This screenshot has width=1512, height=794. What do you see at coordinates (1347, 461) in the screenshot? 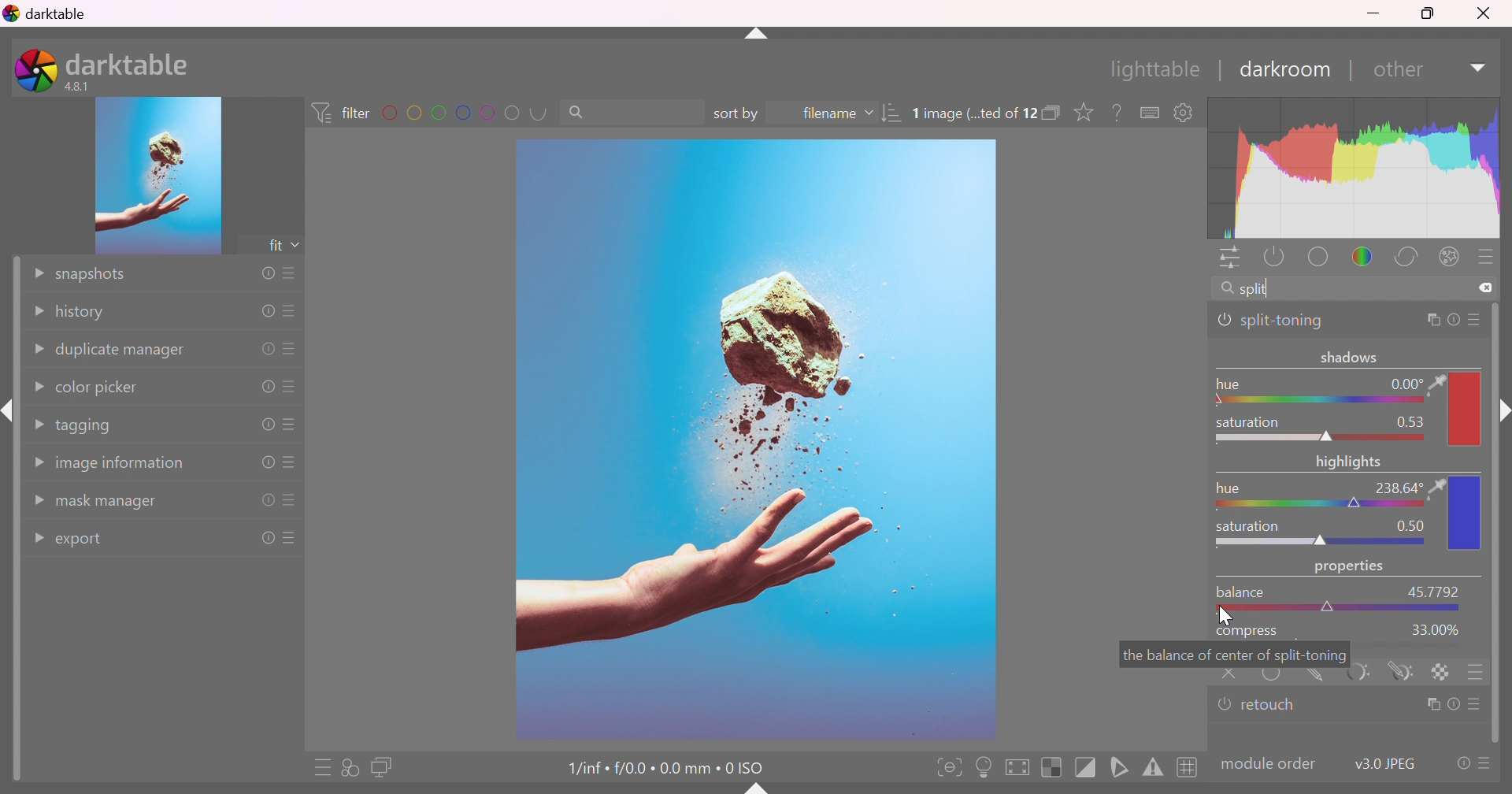
I see `highlights` at bounding box center [1347, 461].